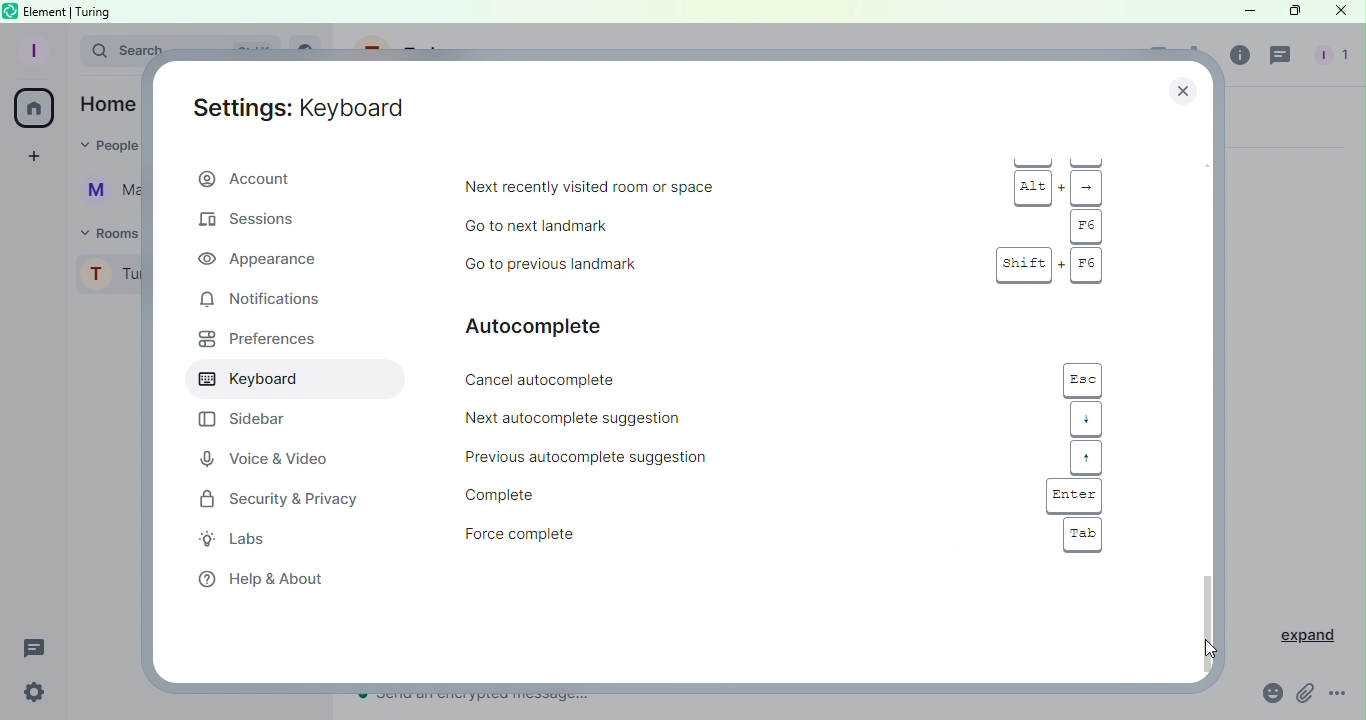 This screenshot has width=1366, height=720. I want to click on Martina Tornello, so click(103, 192).